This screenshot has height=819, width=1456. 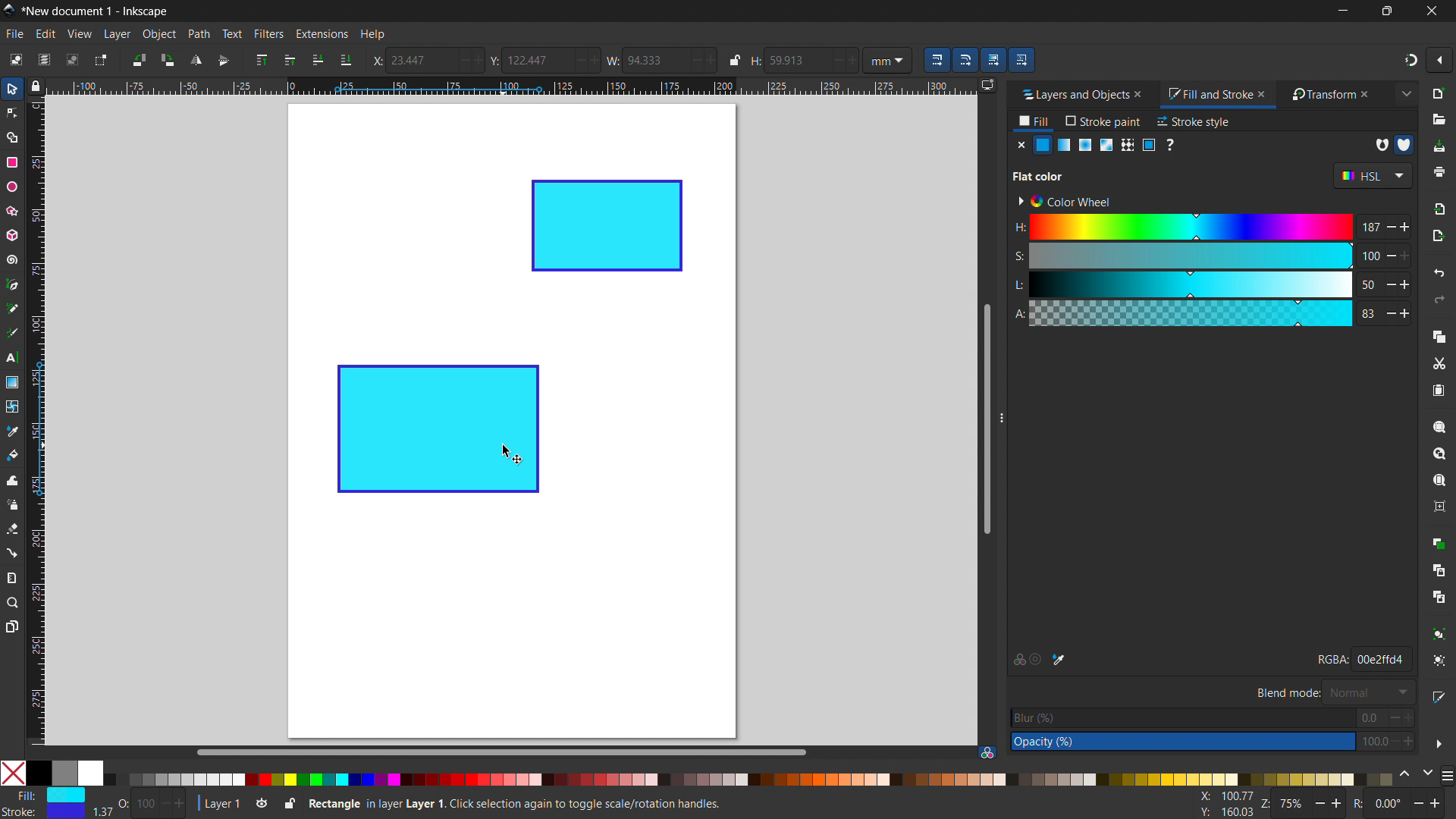 What do you see at coordinates (11, 308) in the screenshot?
I see `pencil tool` at bounding box center [11, 308].